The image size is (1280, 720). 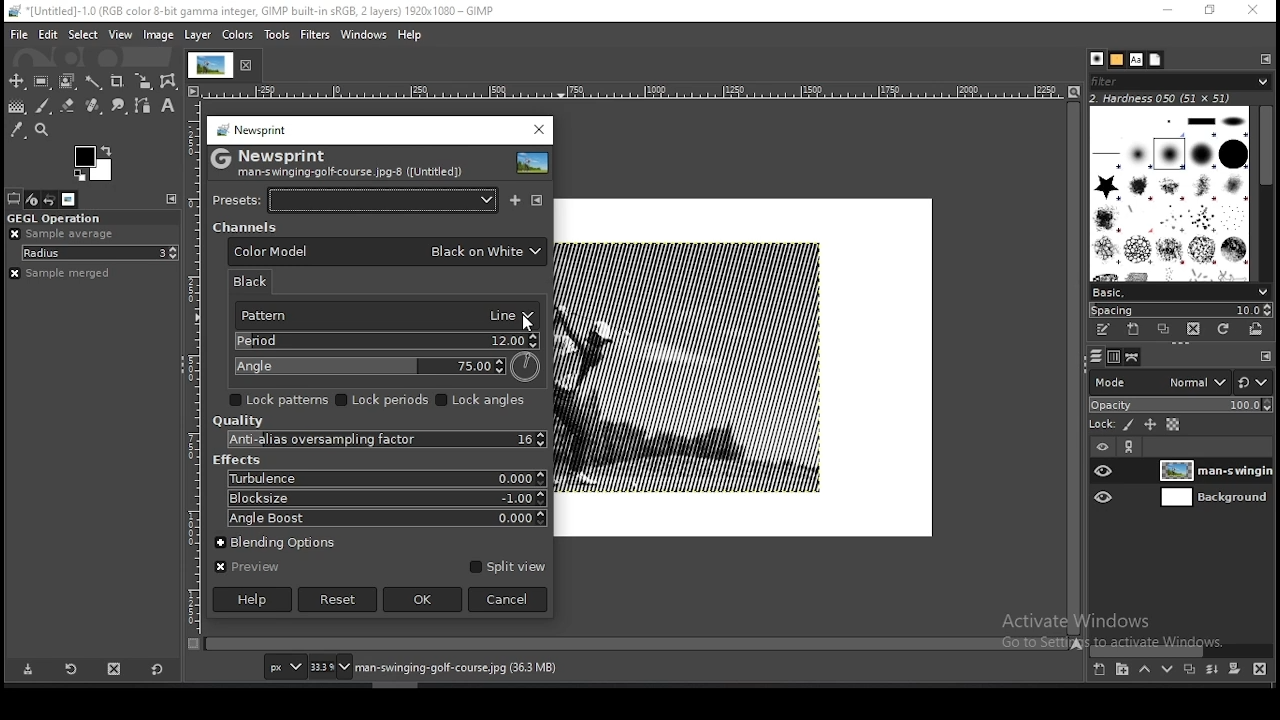 I want to click on lock alpha channel, so click(x=1171, y=425).